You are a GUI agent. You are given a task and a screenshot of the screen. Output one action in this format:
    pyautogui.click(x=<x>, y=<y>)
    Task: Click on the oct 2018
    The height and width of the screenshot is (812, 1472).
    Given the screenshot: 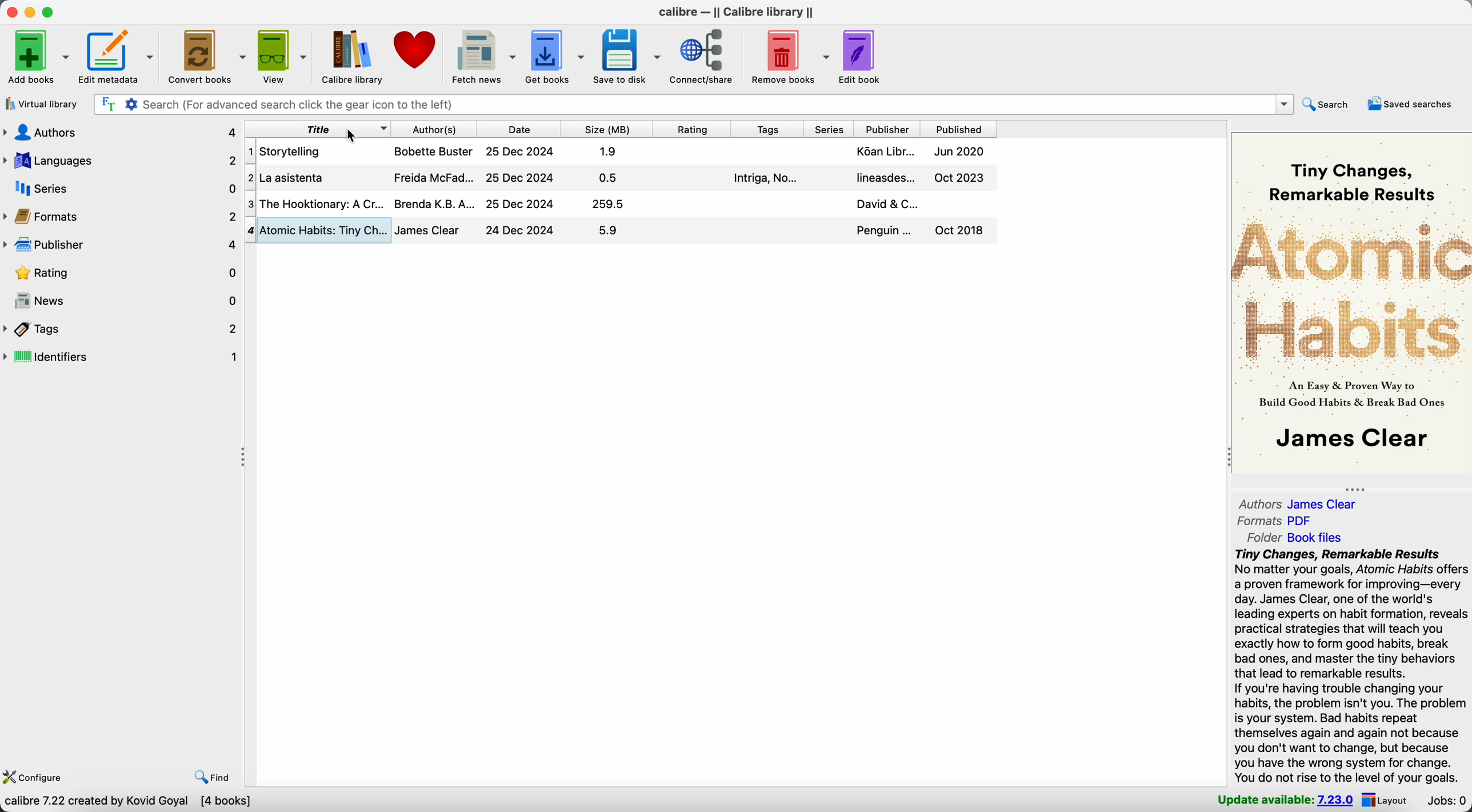 What is the action you would take?
    pyautogui.click(x=960, y=230)
    